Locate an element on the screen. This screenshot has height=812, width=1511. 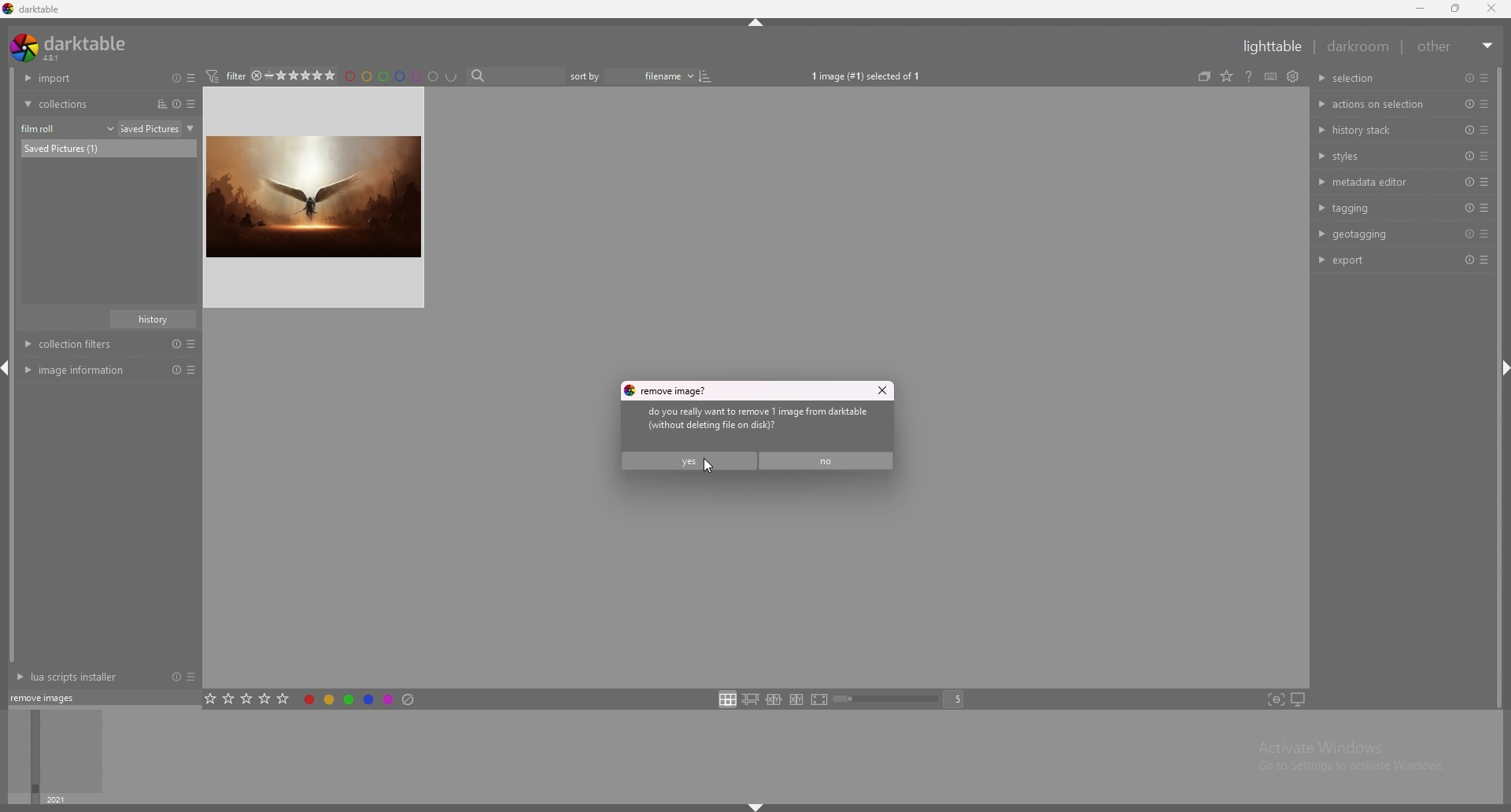
IMAGE is located at coordinates (318, 197).